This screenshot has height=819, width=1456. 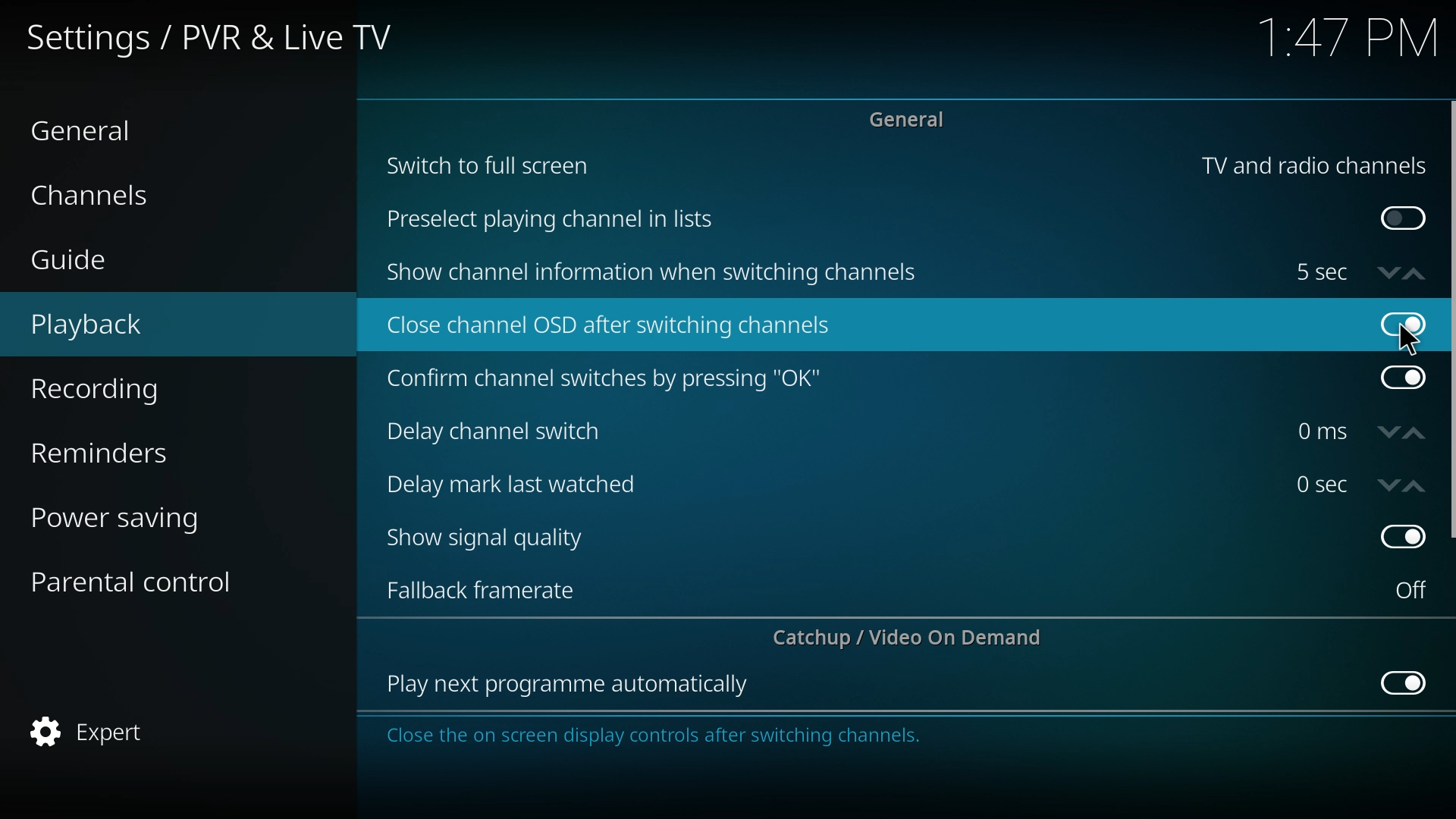 What do you see at coordinates (146, 580) in the screenshot?
I see `parental control` at bounding box center [146, 580].